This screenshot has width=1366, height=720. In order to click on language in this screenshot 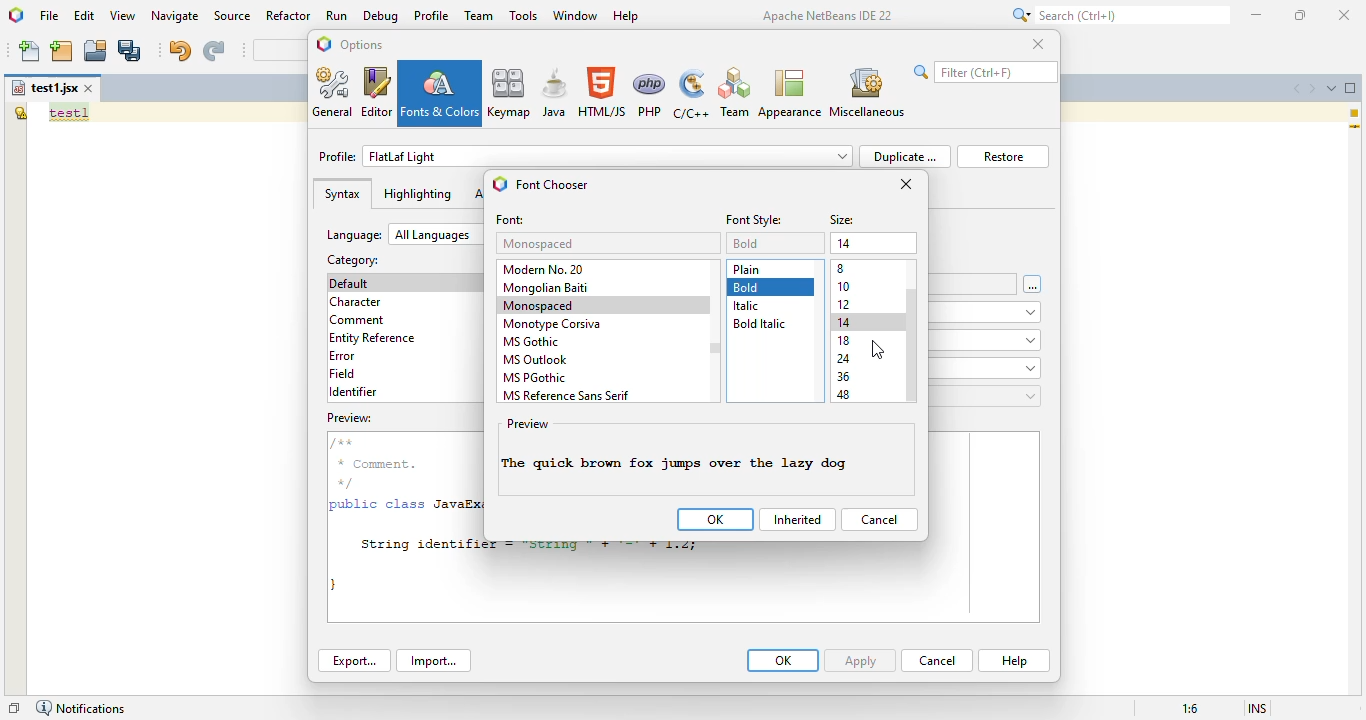, I will do `click(403, 234)`.